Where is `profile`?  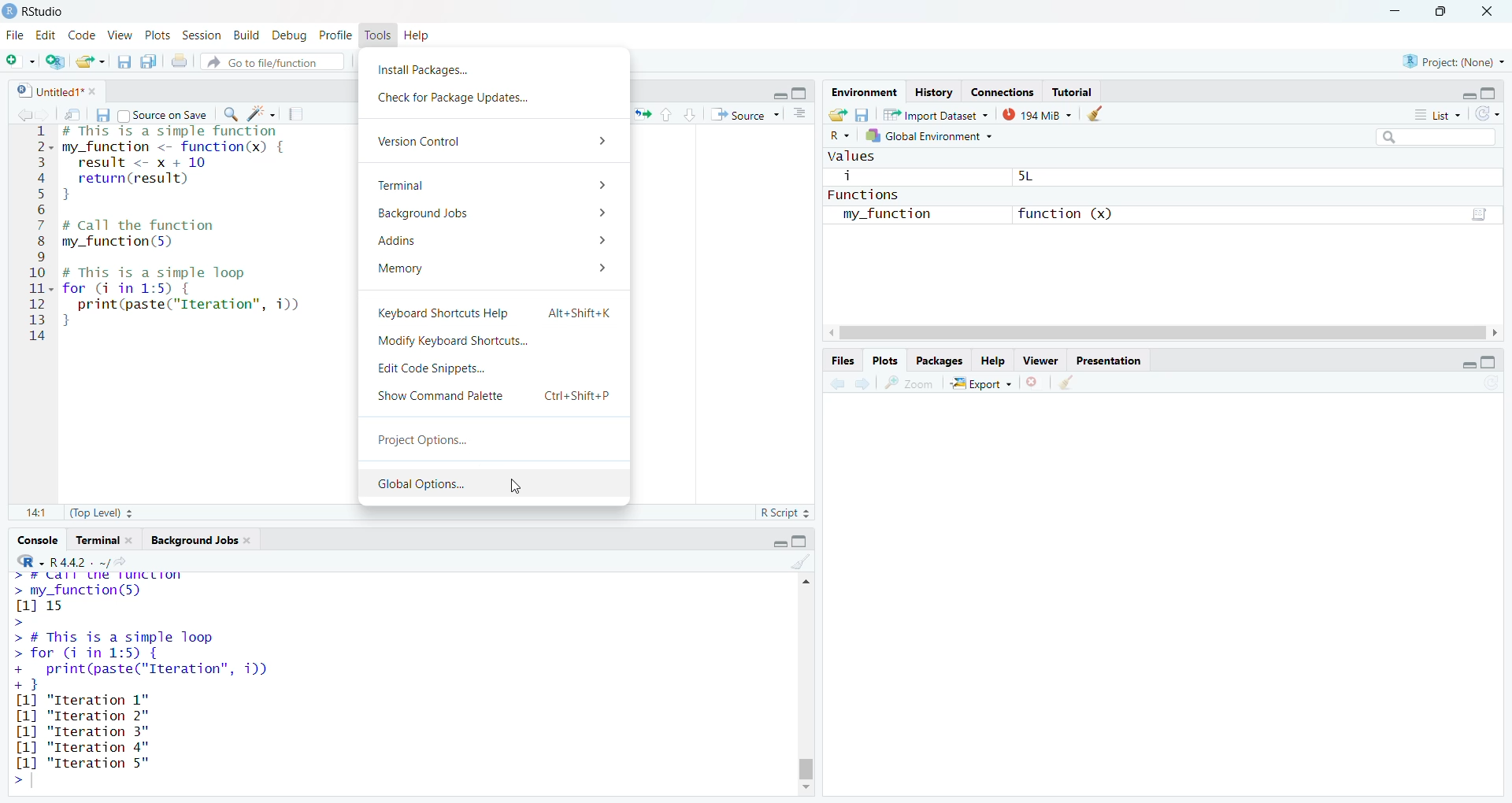 profile is located at coordinates (339, 34).